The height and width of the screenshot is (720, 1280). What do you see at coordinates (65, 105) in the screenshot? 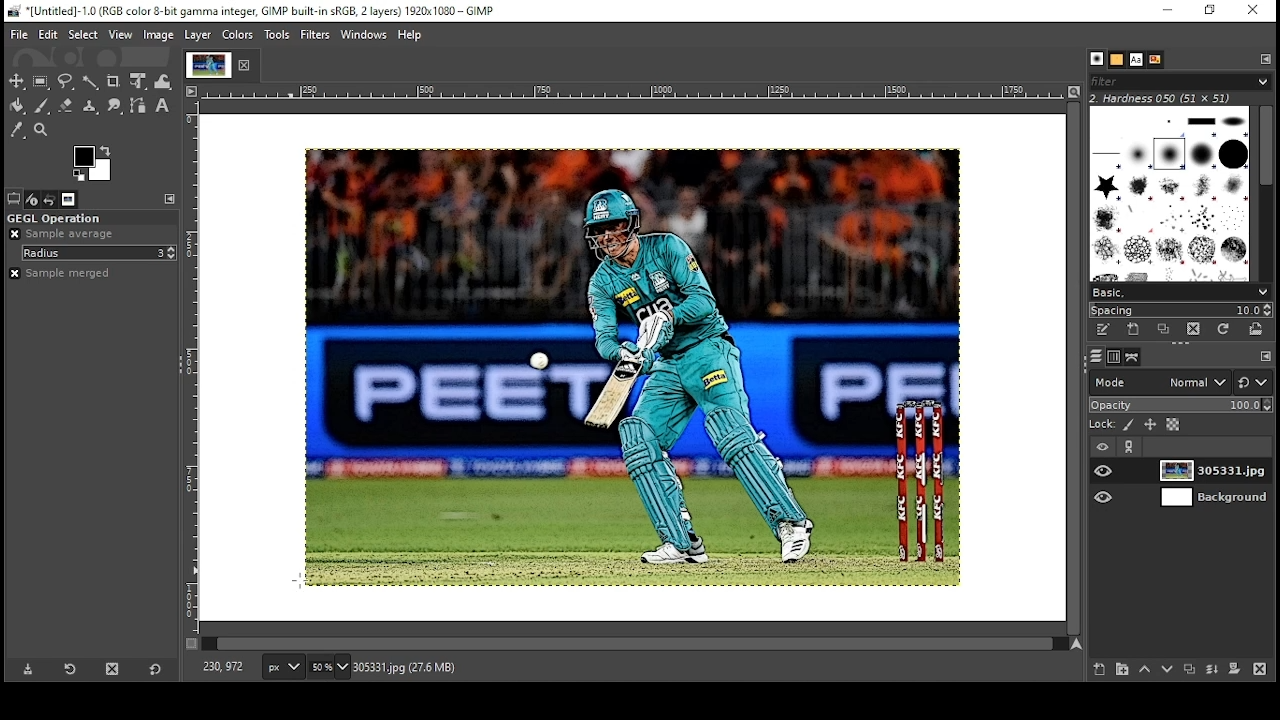
I see `eraser tool` at bounding box center [65, 105].